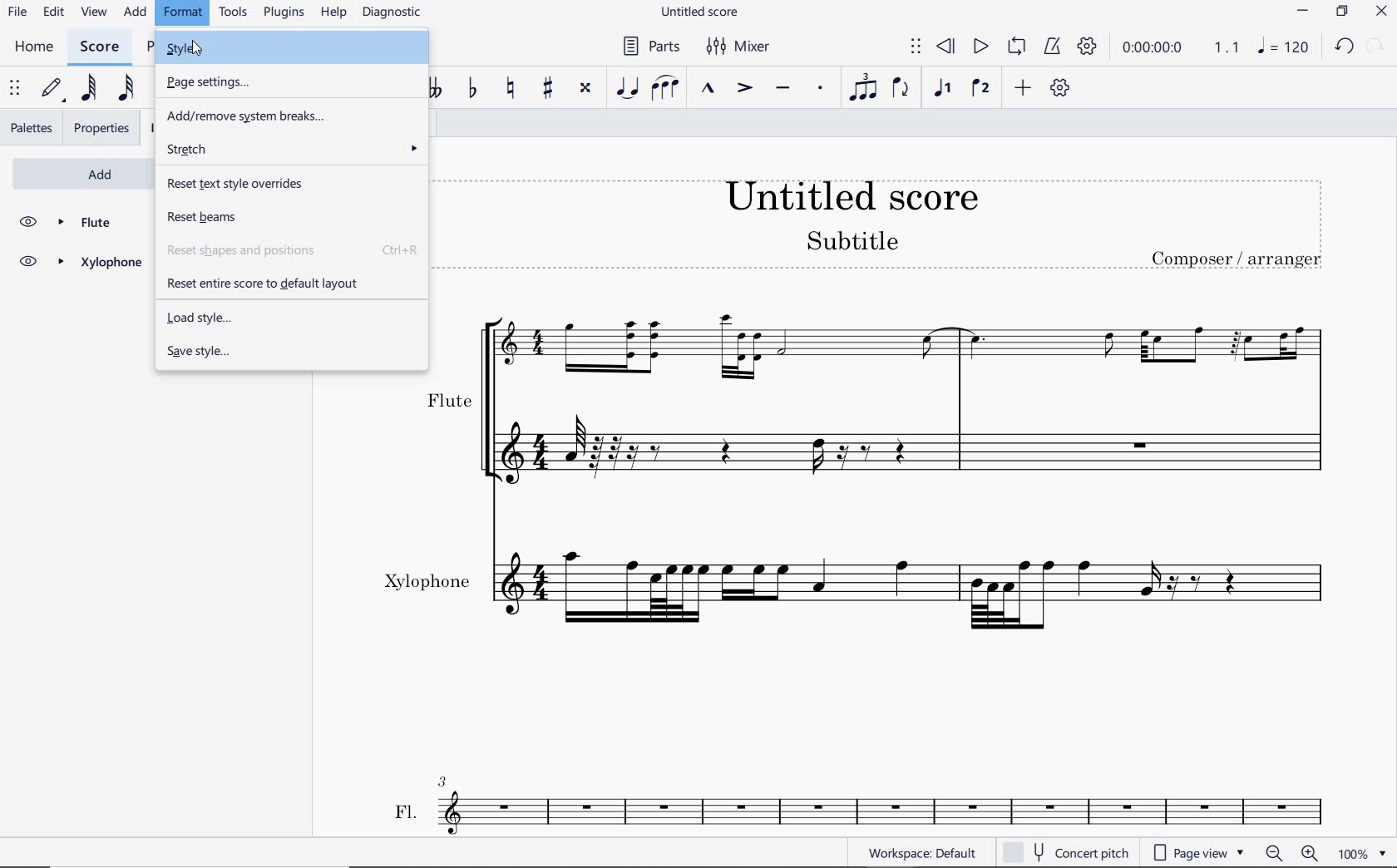 The image size is (1397, 868). I want to click on stretch, so click(296, 149).